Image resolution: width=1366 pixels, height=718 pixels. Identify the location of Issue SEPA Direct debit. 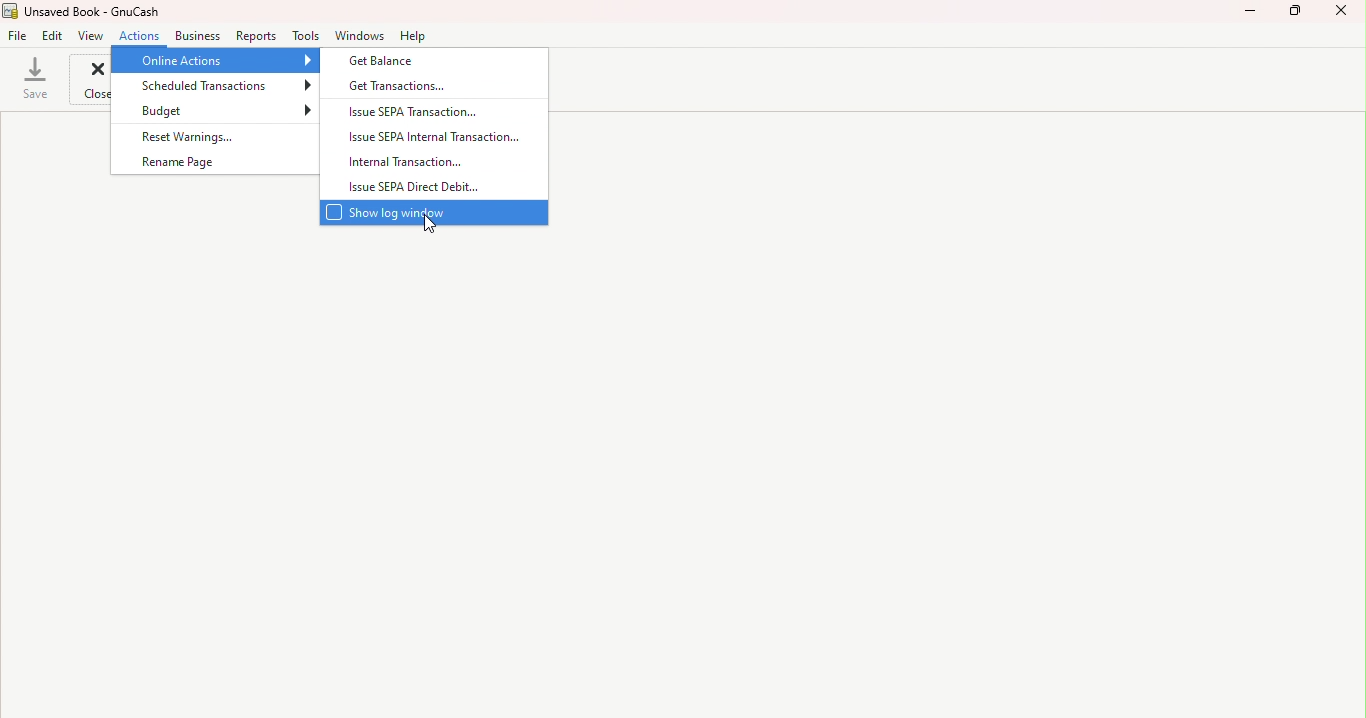
(429, 186).